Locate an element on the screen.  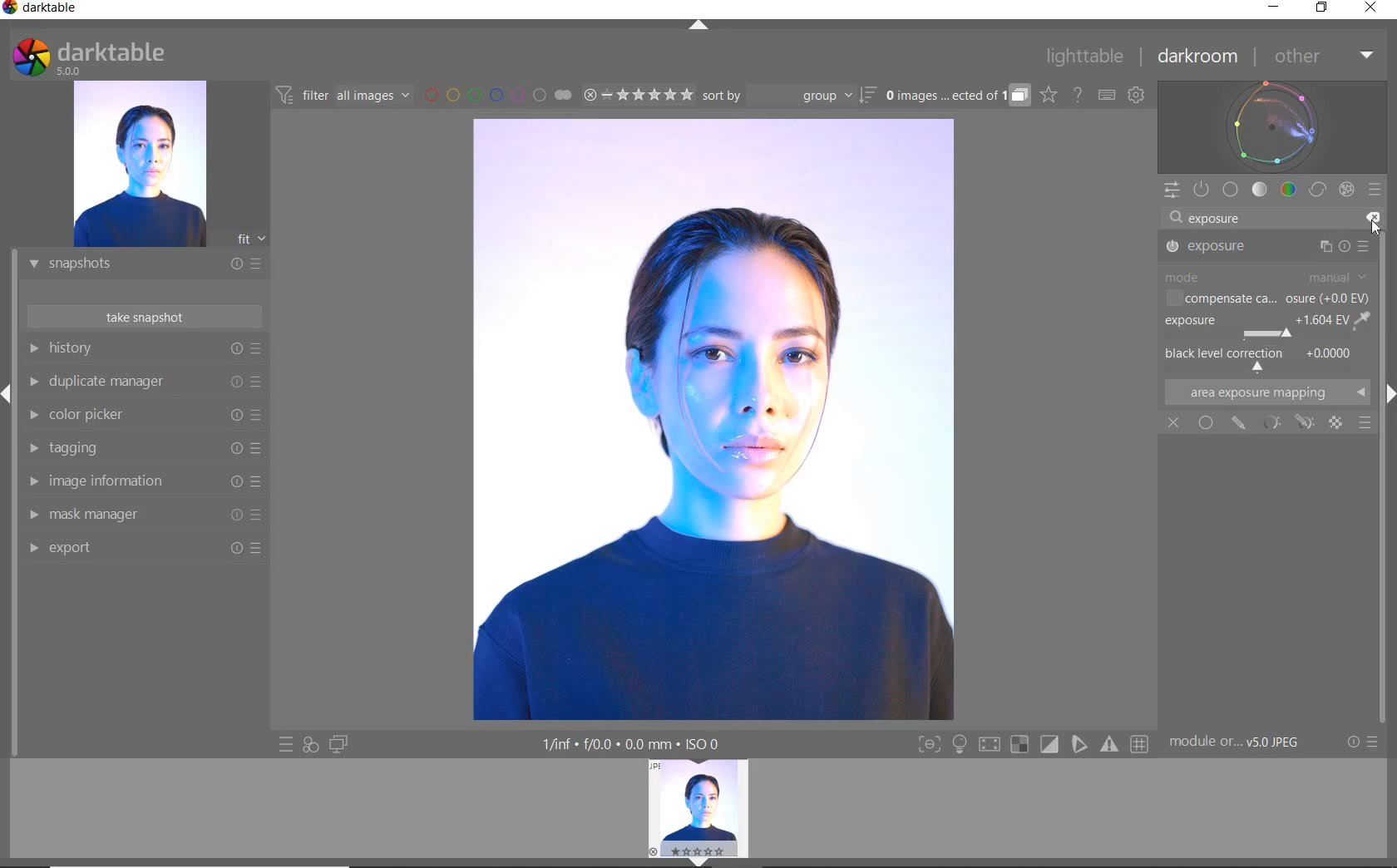
Button is located at coordinates (1141, 745).